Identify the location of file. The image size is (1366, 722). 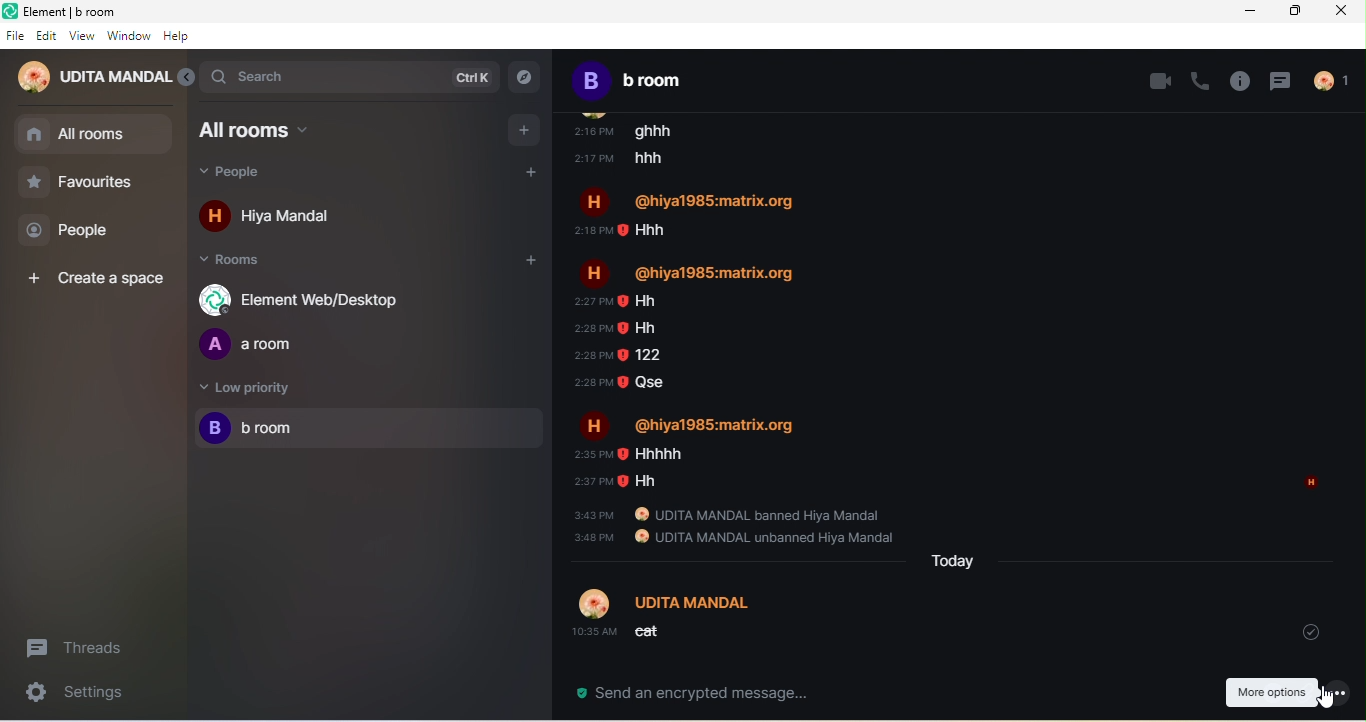
(14, 35).